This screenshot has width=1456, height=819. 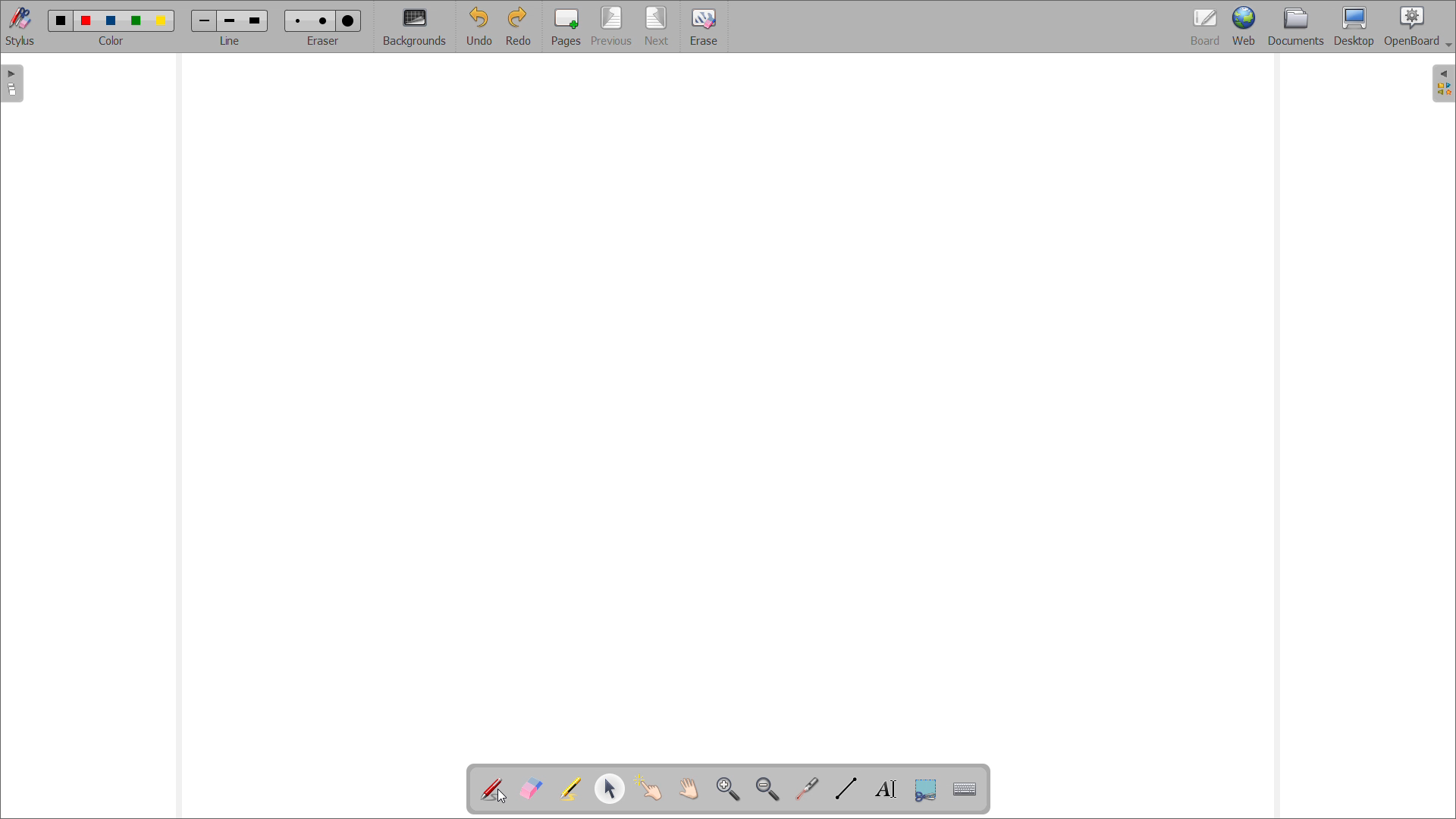 What do you see at coordinates (1443, 83) in the screenshot?
I see `open folder view` at bounding box center [1443, 83].